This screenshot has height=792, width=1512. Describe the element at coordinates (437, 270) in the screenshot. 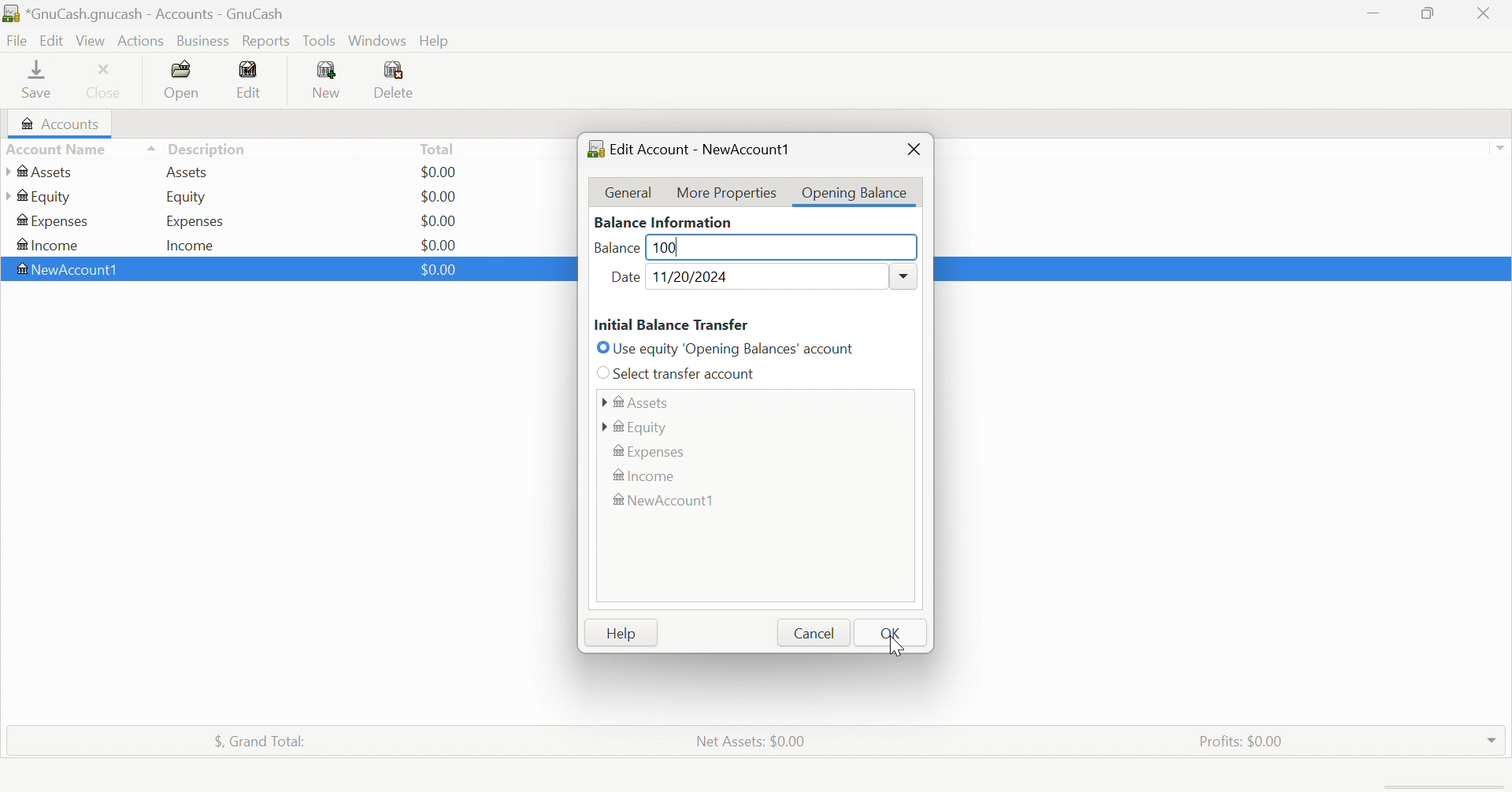

I see `$0.00` at that location.